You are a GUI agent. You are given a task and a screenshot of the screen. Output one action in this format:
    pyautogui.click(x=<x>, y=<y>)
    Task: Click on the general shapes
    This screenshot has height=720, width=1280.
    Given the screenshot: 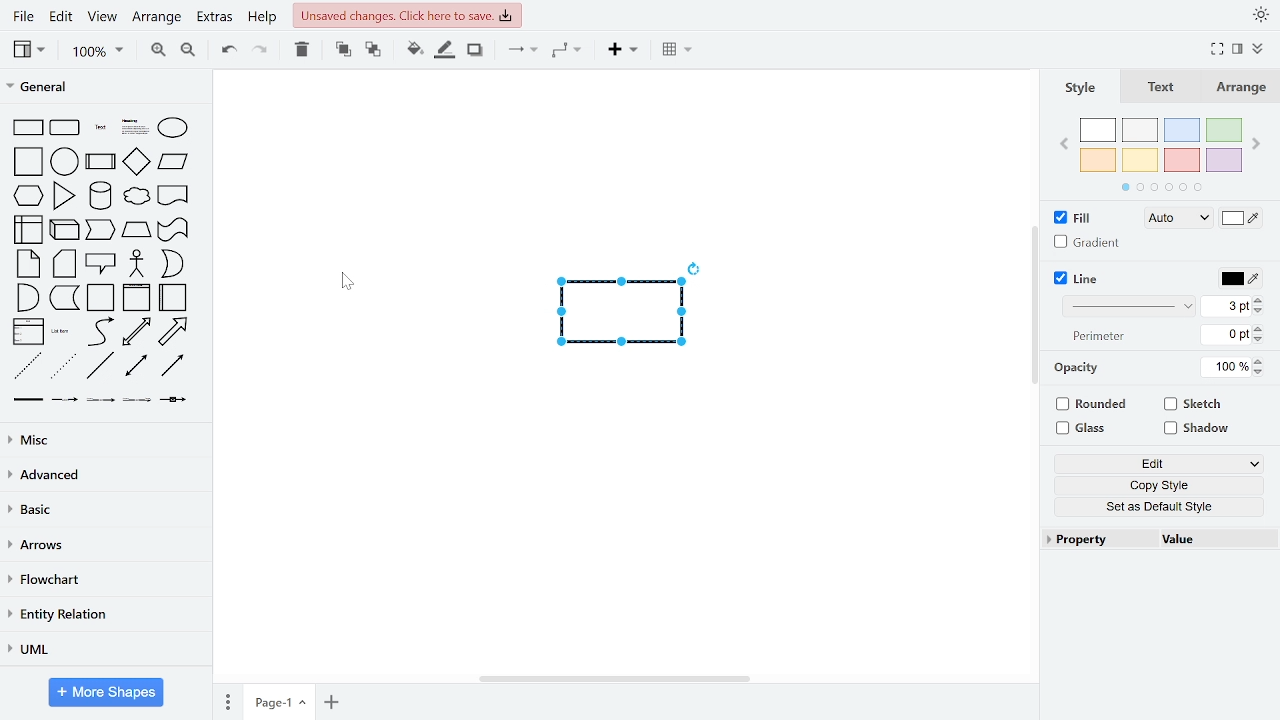 What is the action you would take?
    pyautogui.click(x=64, y=297)
    